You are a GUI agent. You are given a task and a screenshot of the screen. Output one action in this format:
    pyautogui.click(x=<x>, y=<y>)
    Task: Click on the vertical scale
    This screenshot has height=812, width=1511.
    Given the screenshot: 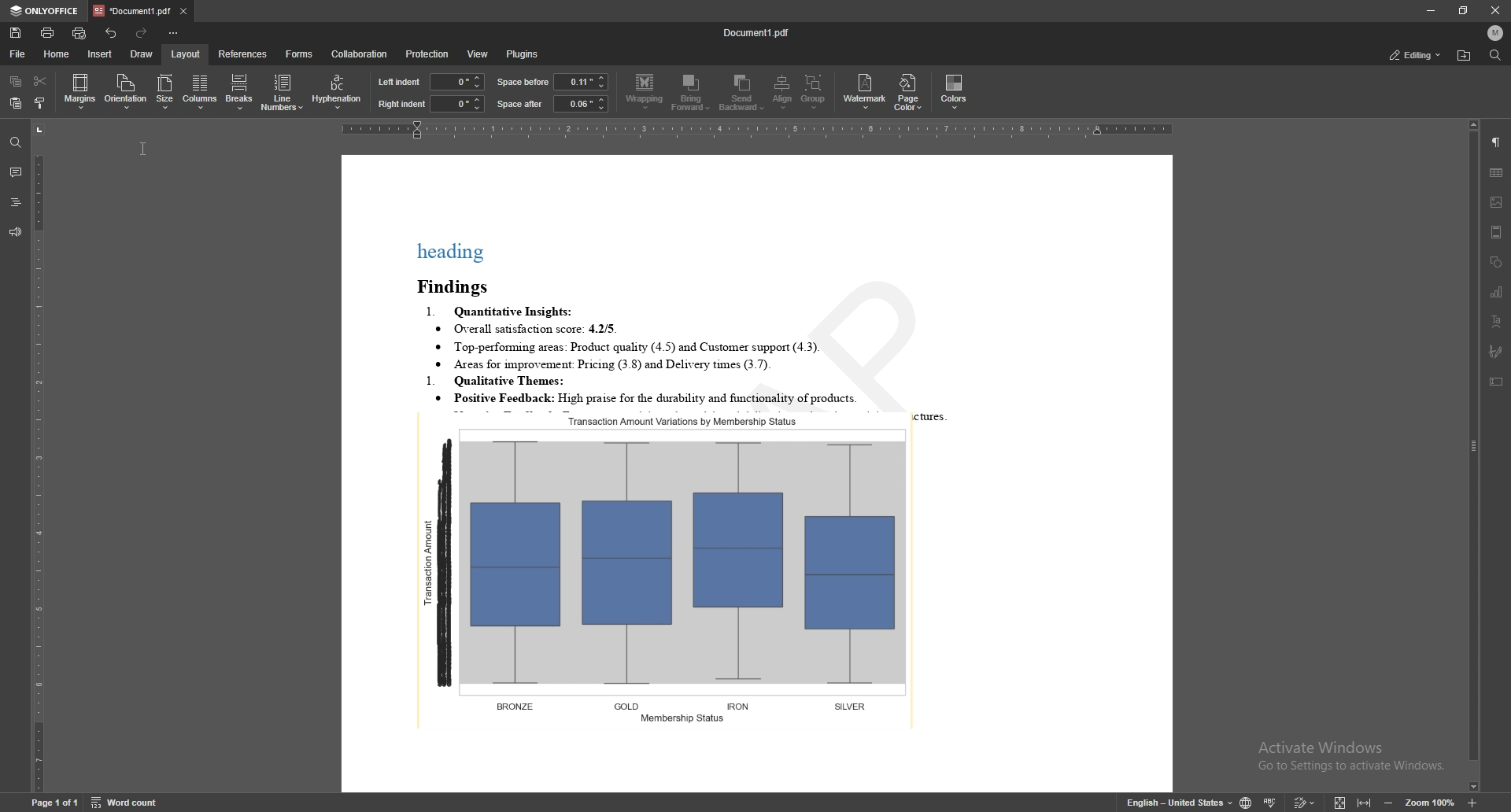 What is the action you would take?
    pyautogui.click(x=39, y=456)
    